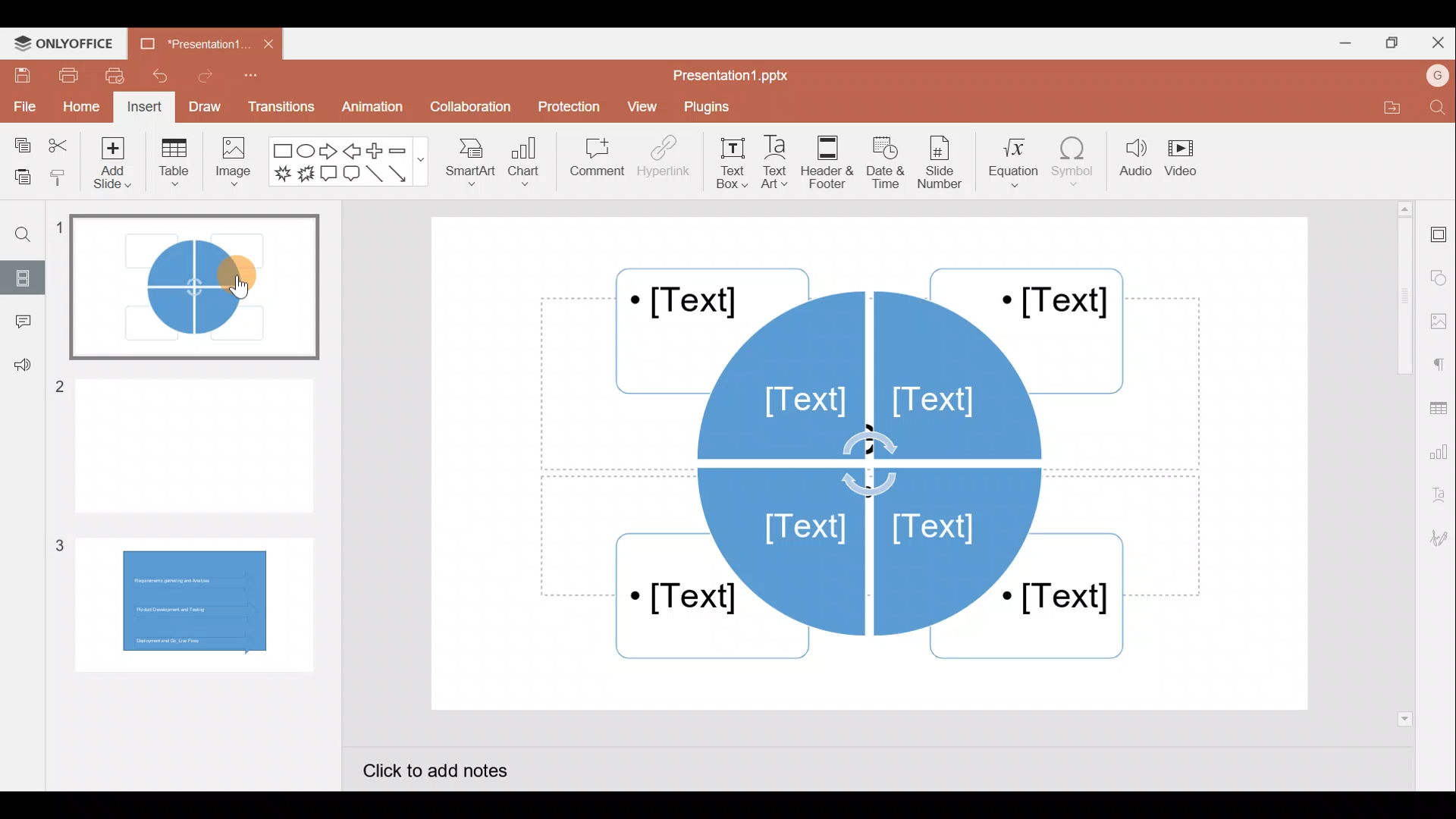 This screenshot has width=1456, height=819. I want to click on Redo, so click(201, 80).